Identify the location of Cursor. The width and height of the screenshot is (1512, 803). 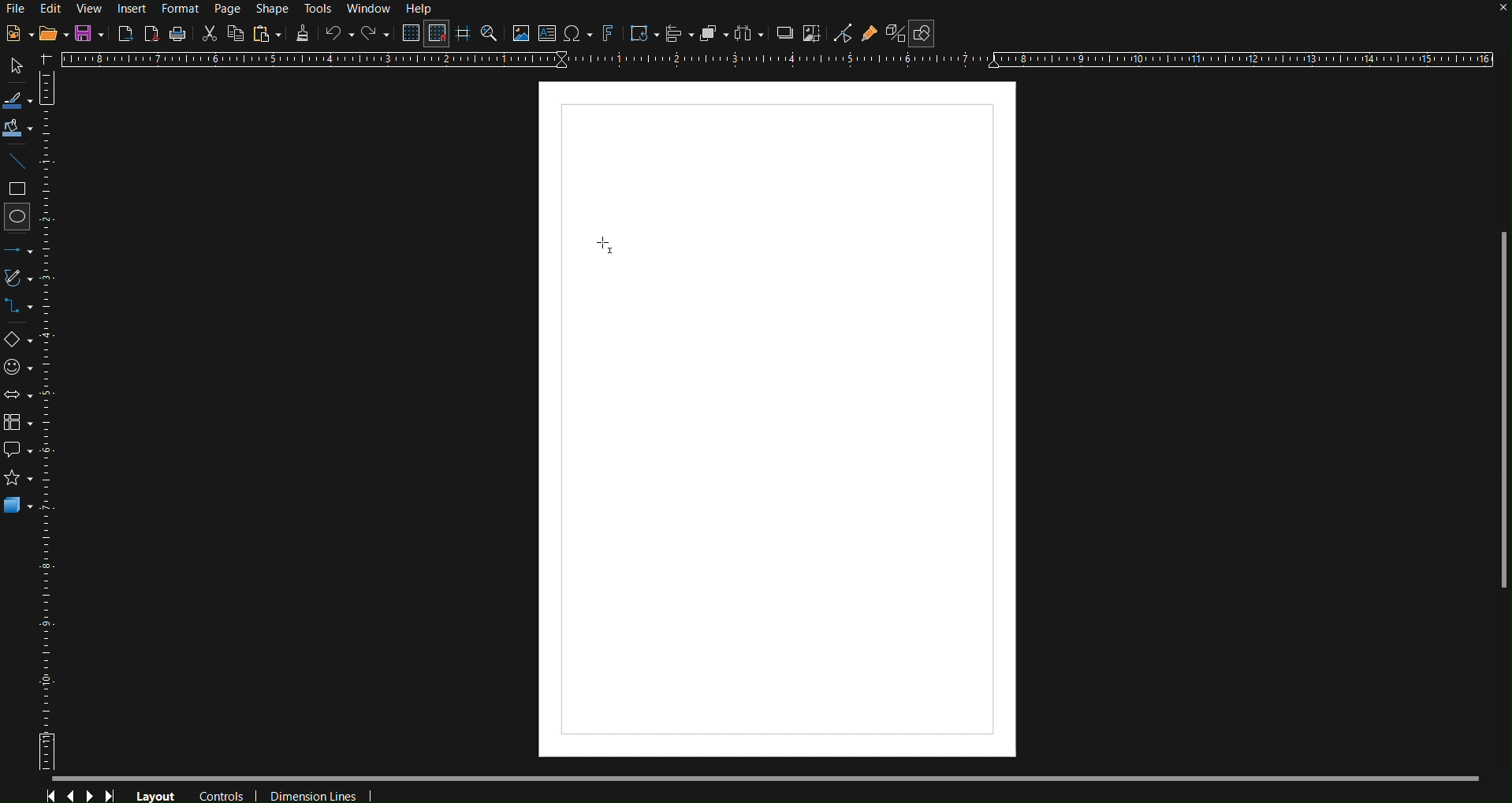
(606, 245).